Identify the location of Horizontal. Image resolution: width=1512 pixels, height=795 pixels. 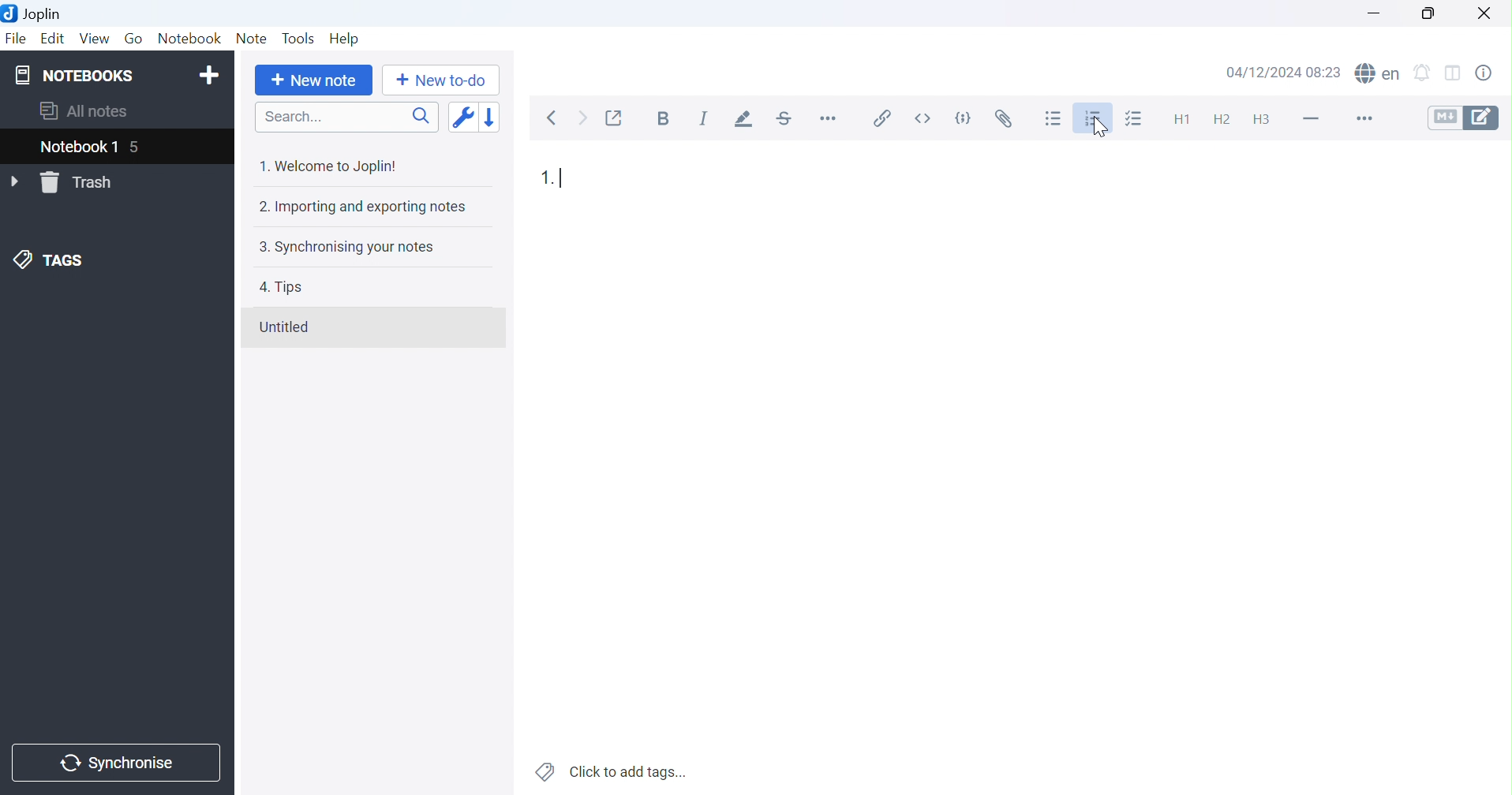
(829, 121).